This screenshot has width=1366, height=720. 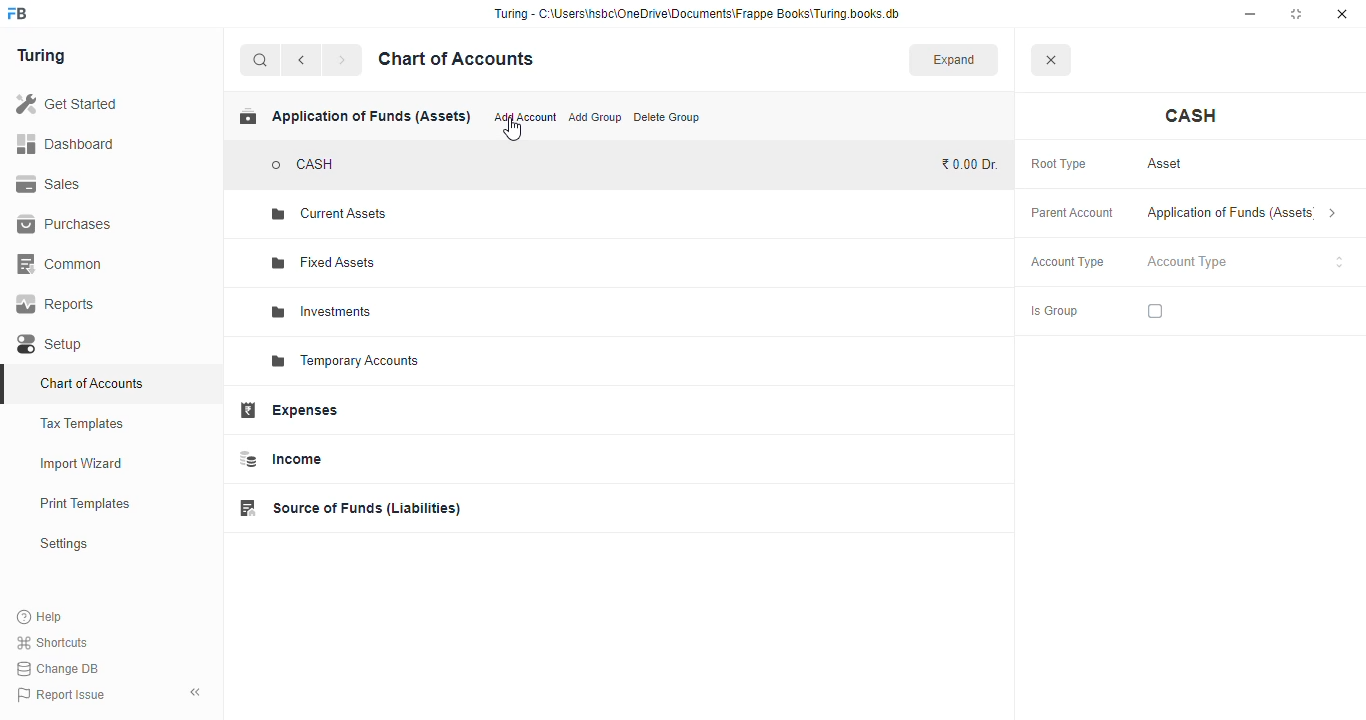 I want to click on print templates, so click(x=85, y=503).